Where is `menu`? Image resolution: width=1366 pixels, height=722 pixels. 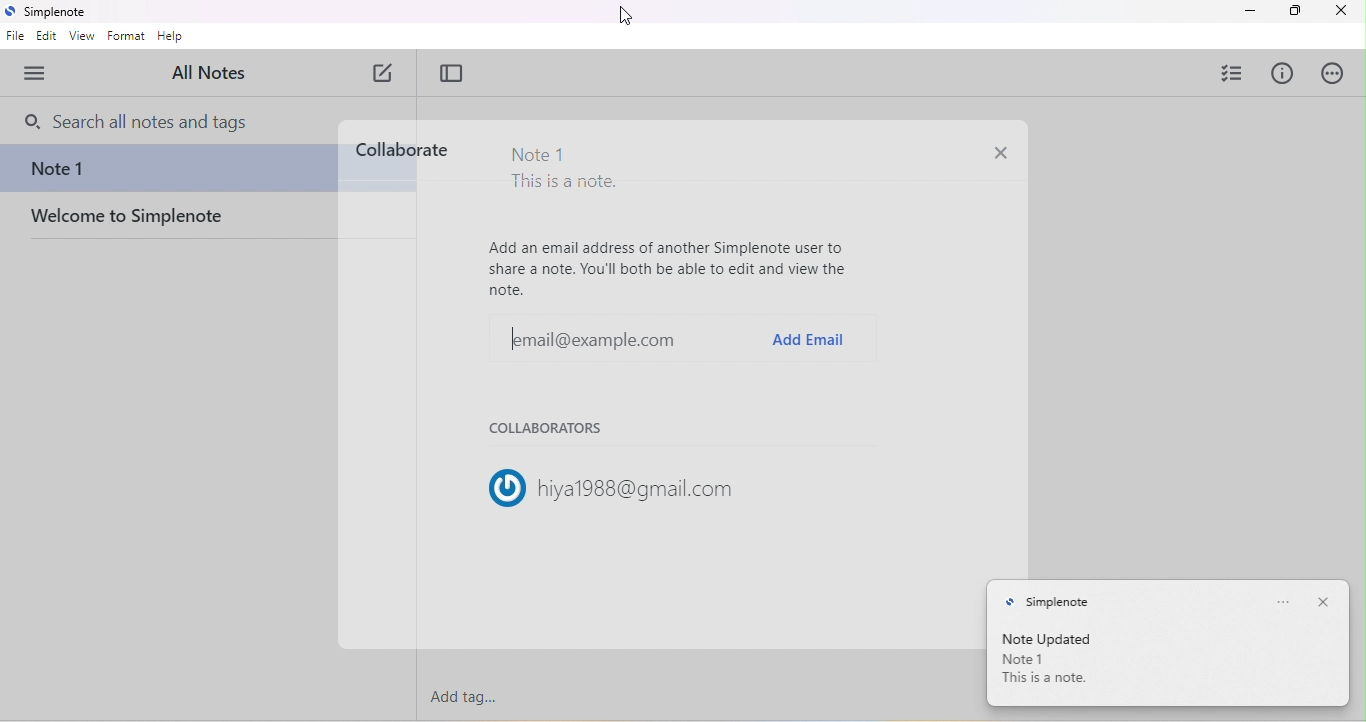
menu is located at coordinates (41, 72).